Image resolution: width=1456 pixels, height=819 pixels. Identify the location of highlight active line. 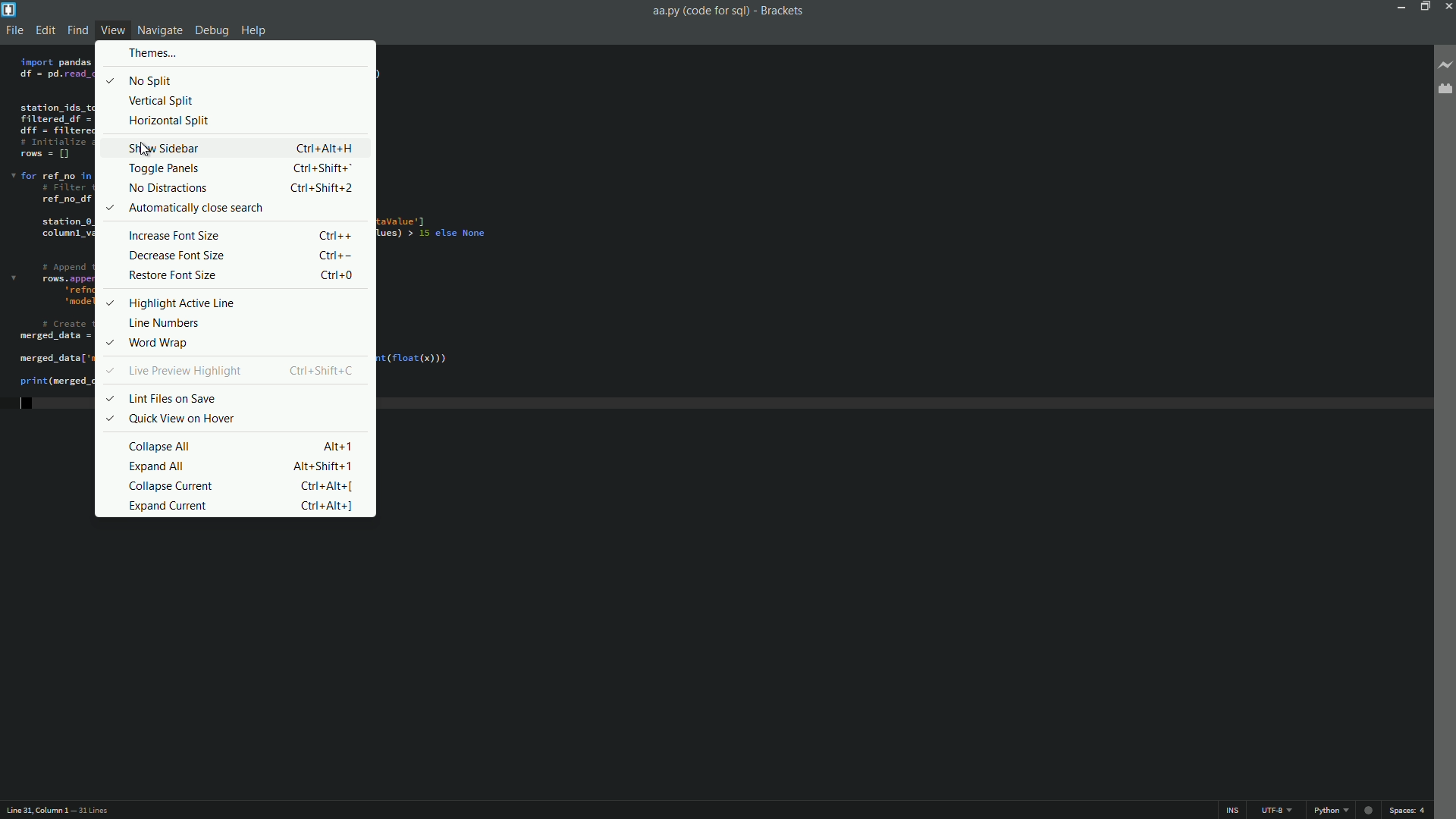
(171, 303).